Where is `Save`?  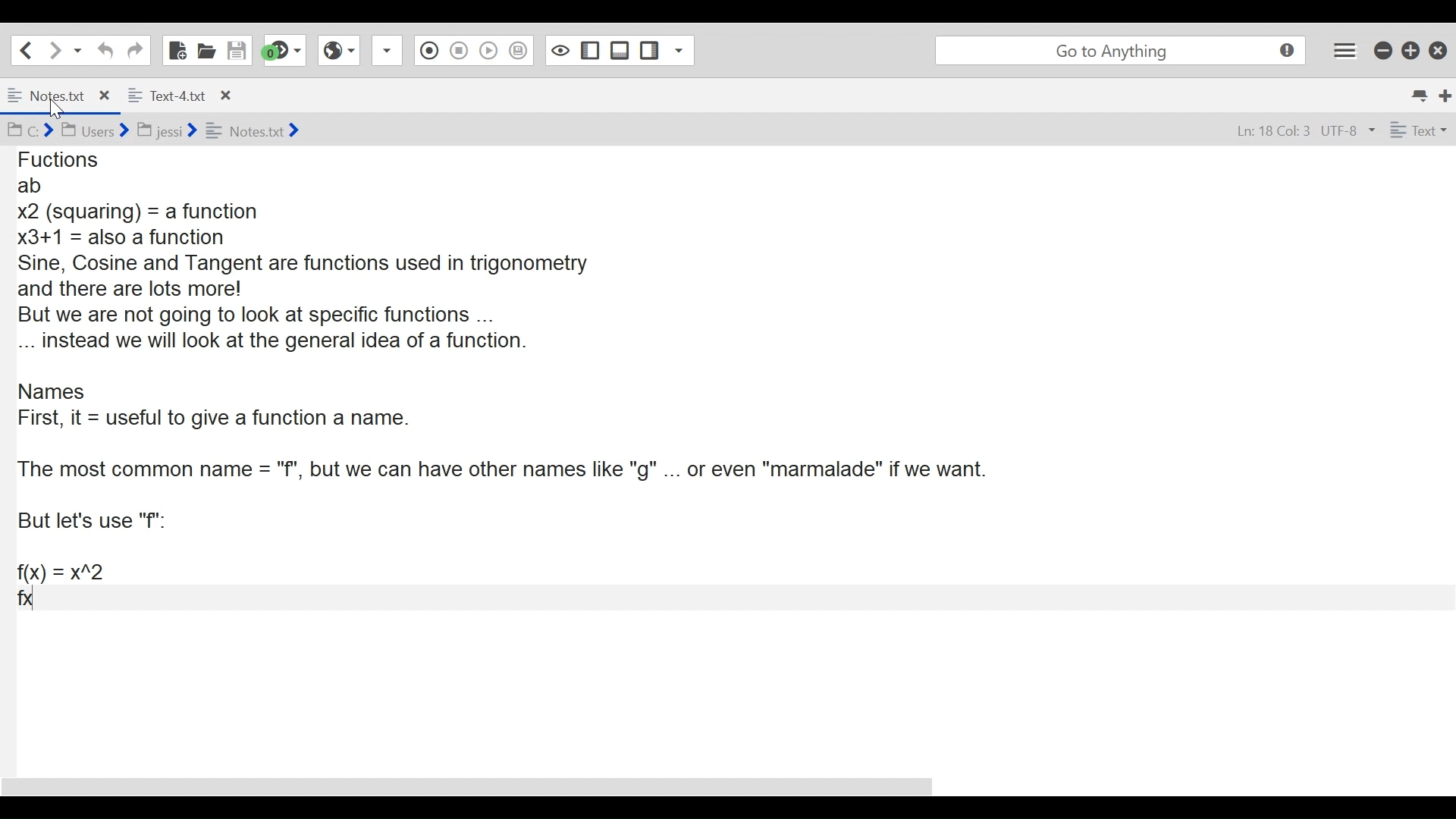
Save is located at coordinates (237, 49).